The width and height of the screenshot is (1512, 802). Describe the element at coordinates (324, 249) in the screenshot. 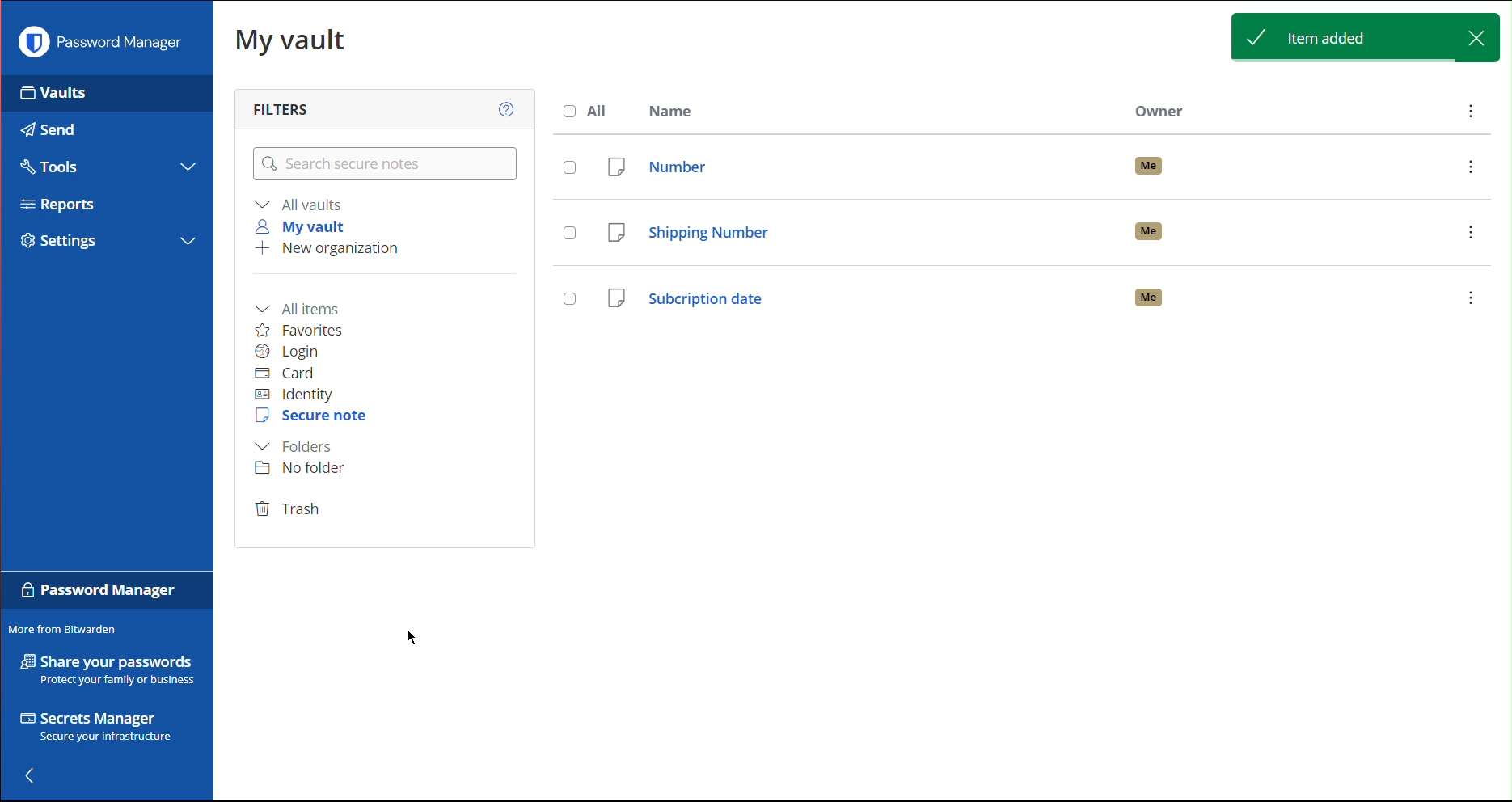

I see `New organization` at that location.